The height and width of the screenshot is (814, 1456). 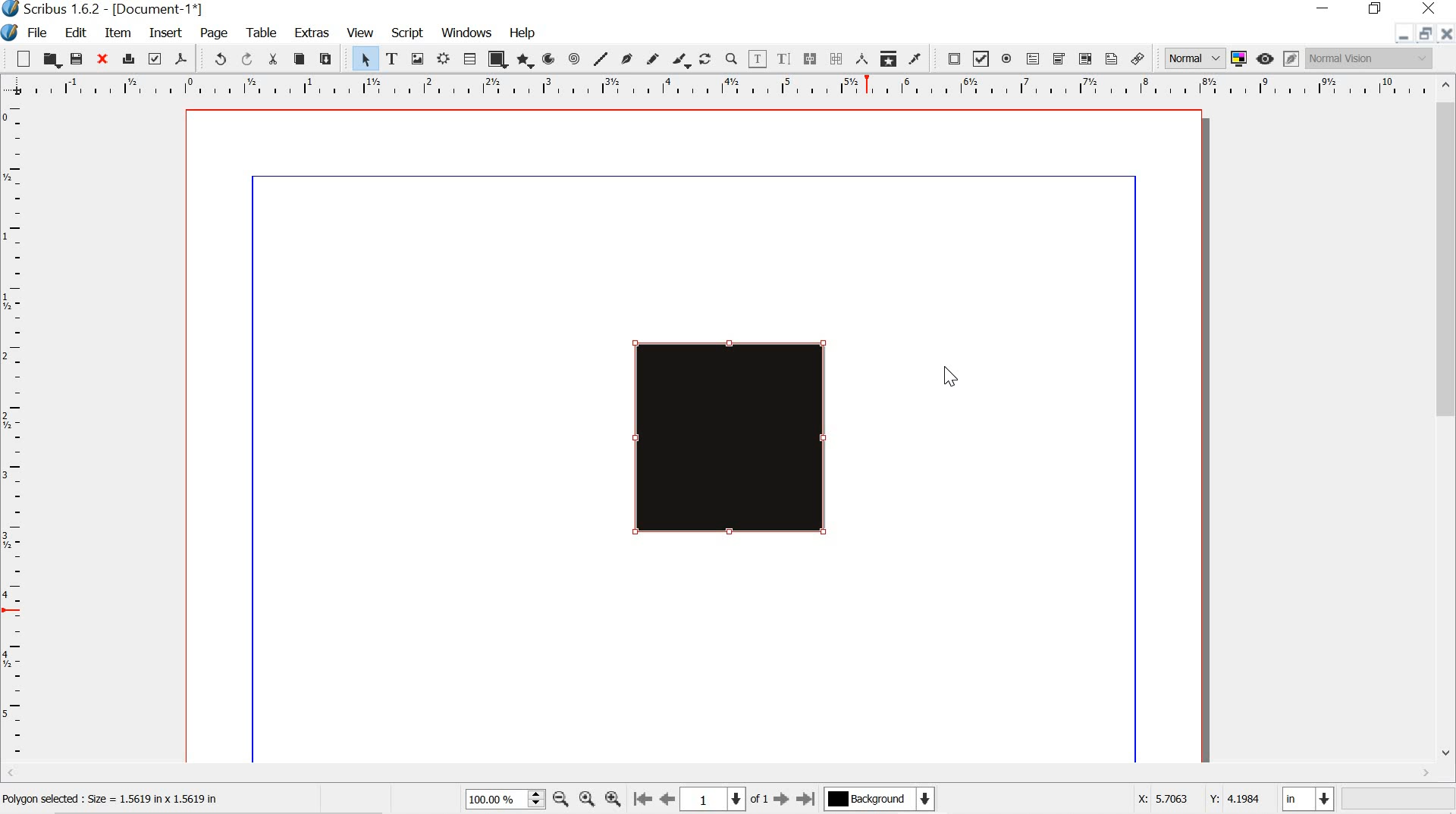 I want to click on X: 5.7063 Y: 4.1984, so click(x=1189, y=801).